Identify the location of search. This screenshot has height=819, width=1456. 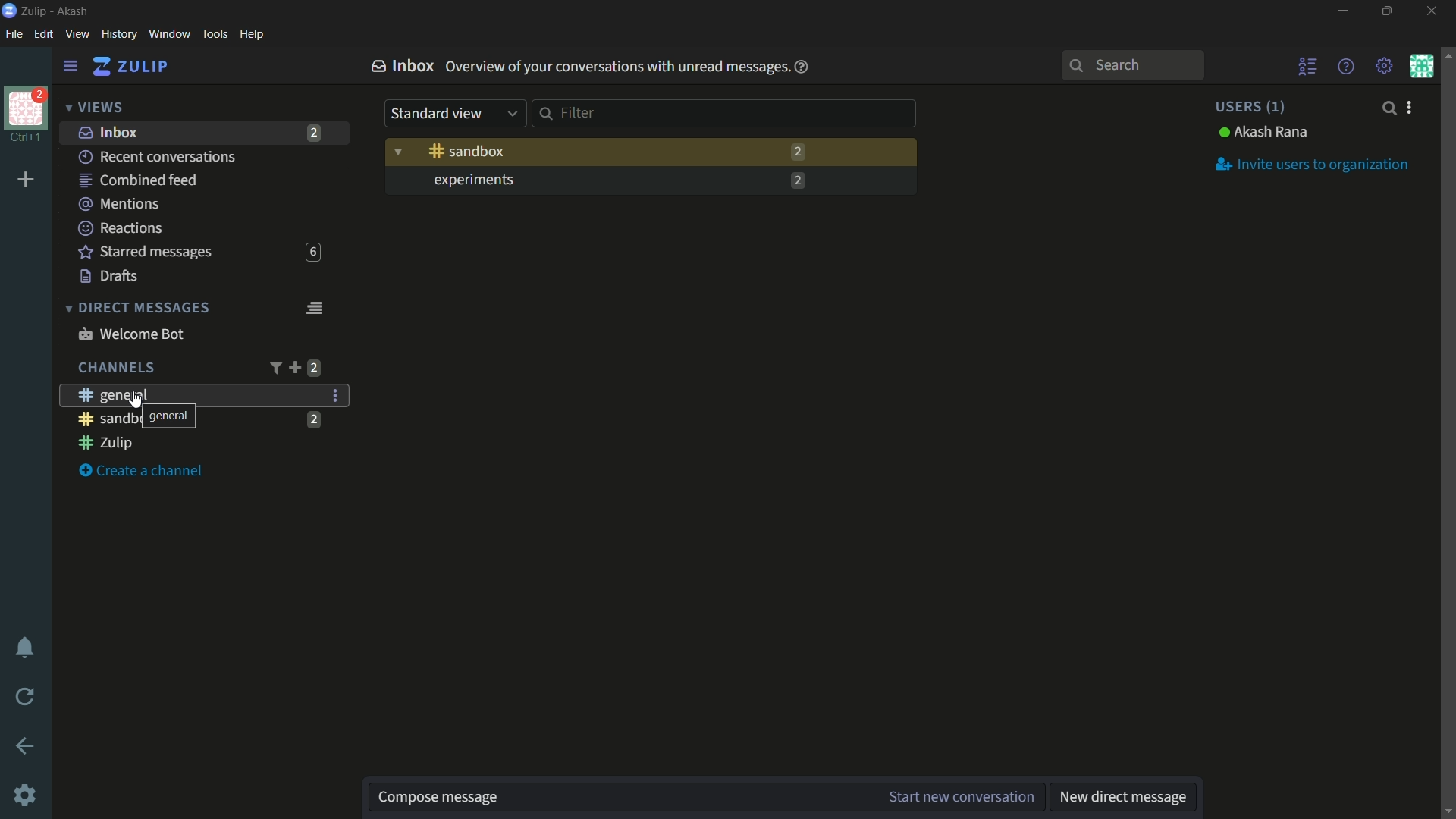
(1388, 108).